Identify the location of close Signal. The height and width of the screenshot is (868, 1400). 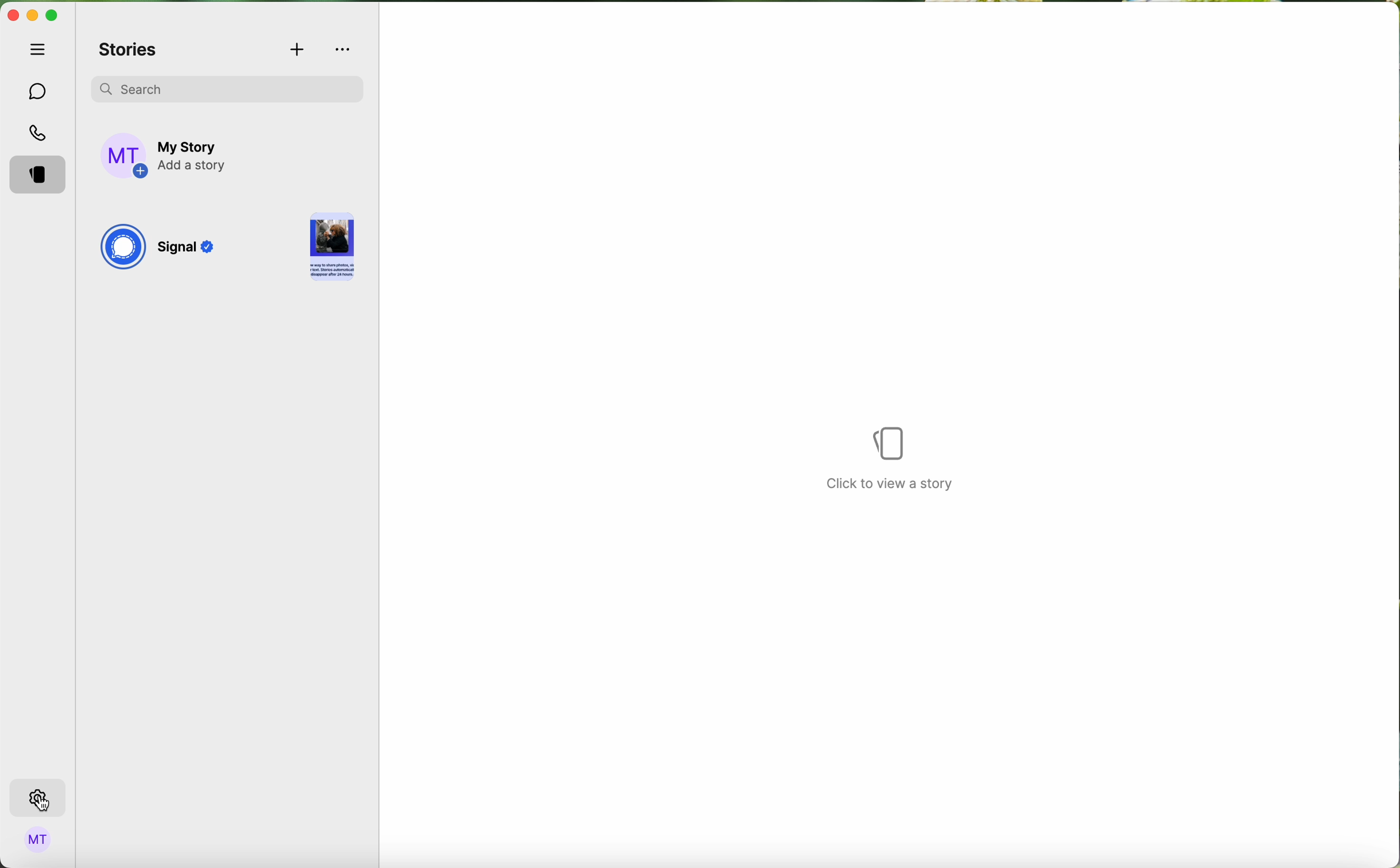
(12, 16).